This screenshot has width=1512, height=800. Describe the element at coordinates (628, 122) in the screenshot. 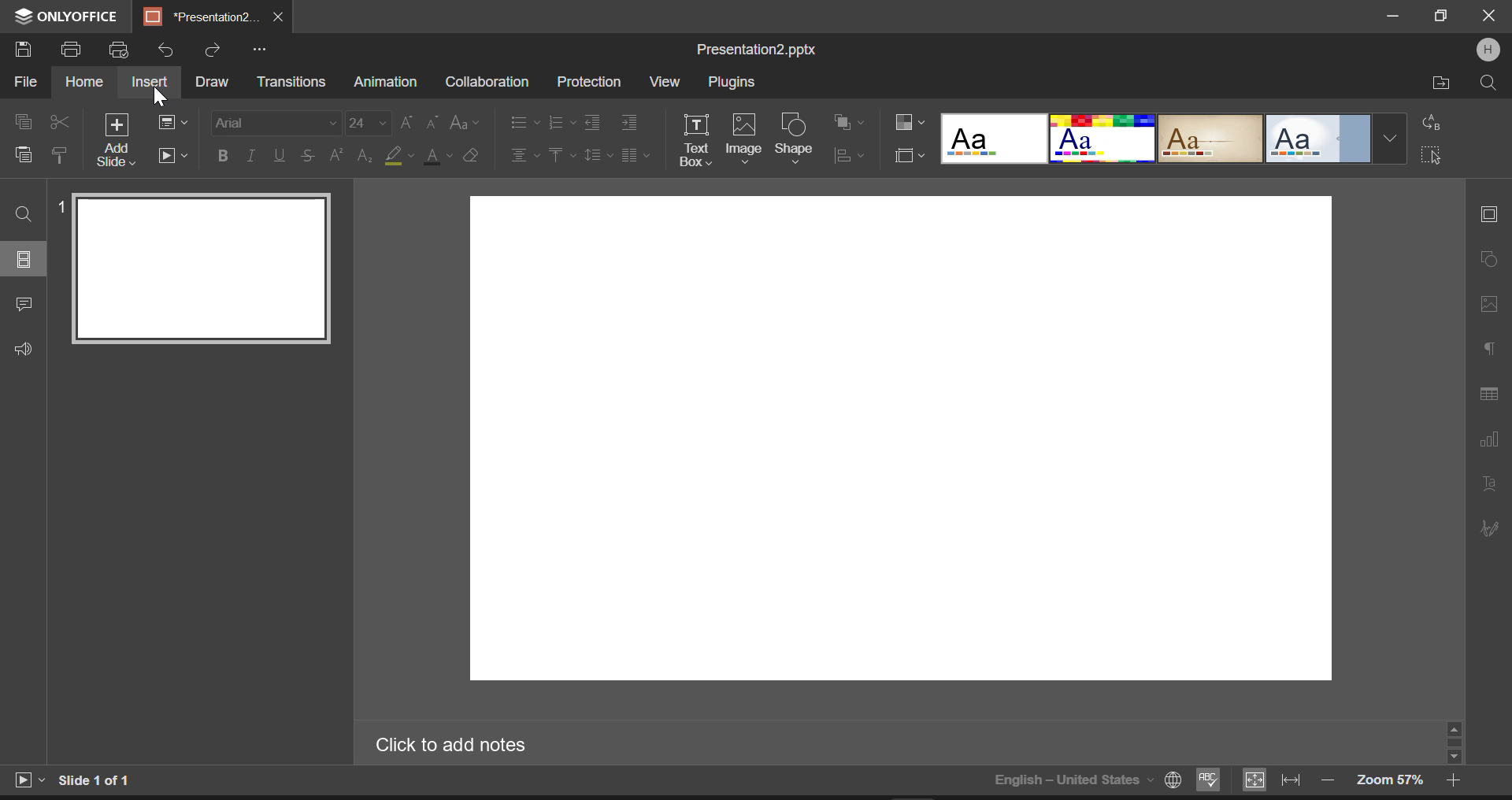

I see `Increase Indent` at that location.